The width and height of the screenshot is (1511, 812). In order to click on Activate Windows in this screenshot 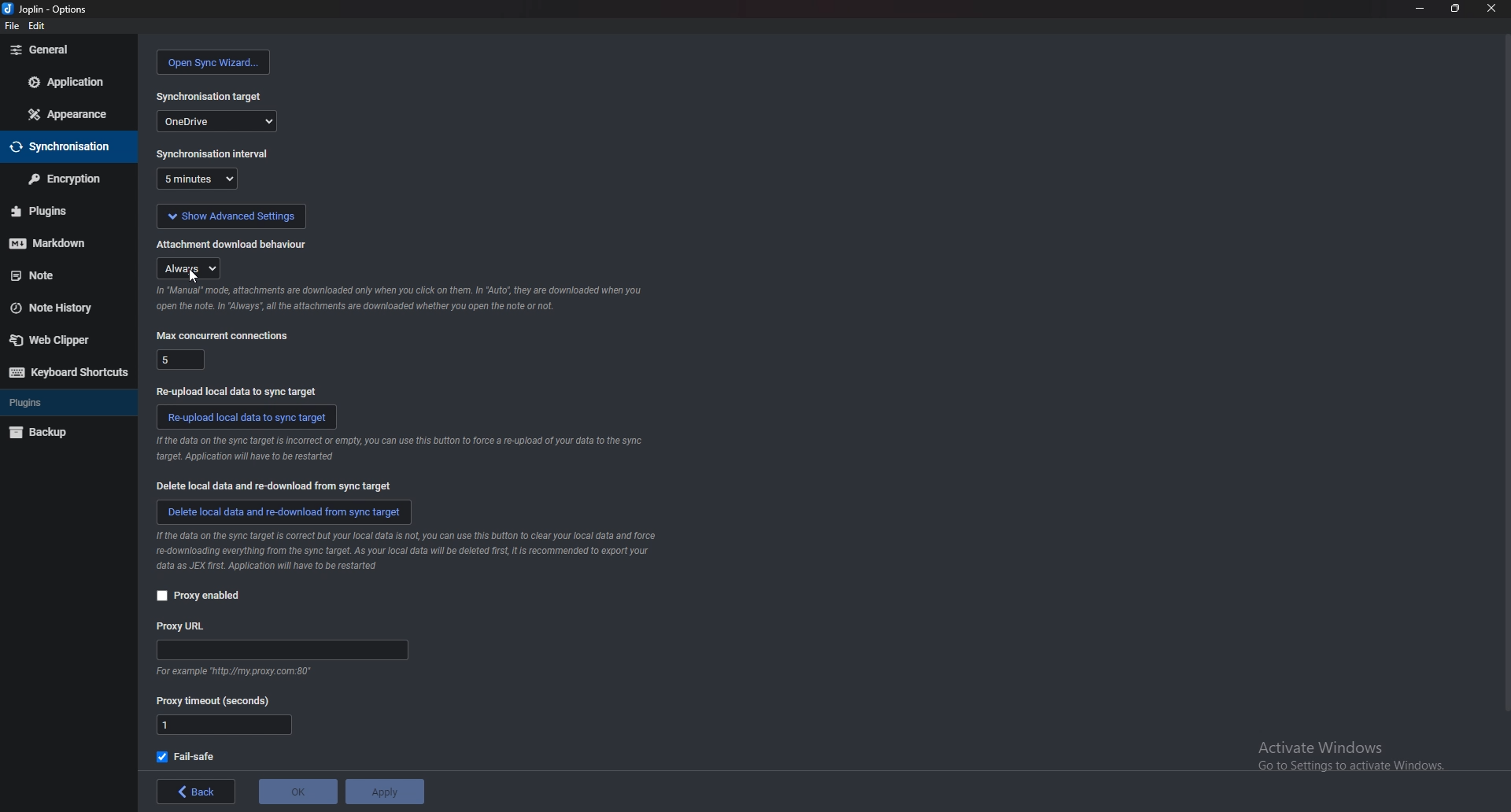, I will do `click(1336, 749)`.